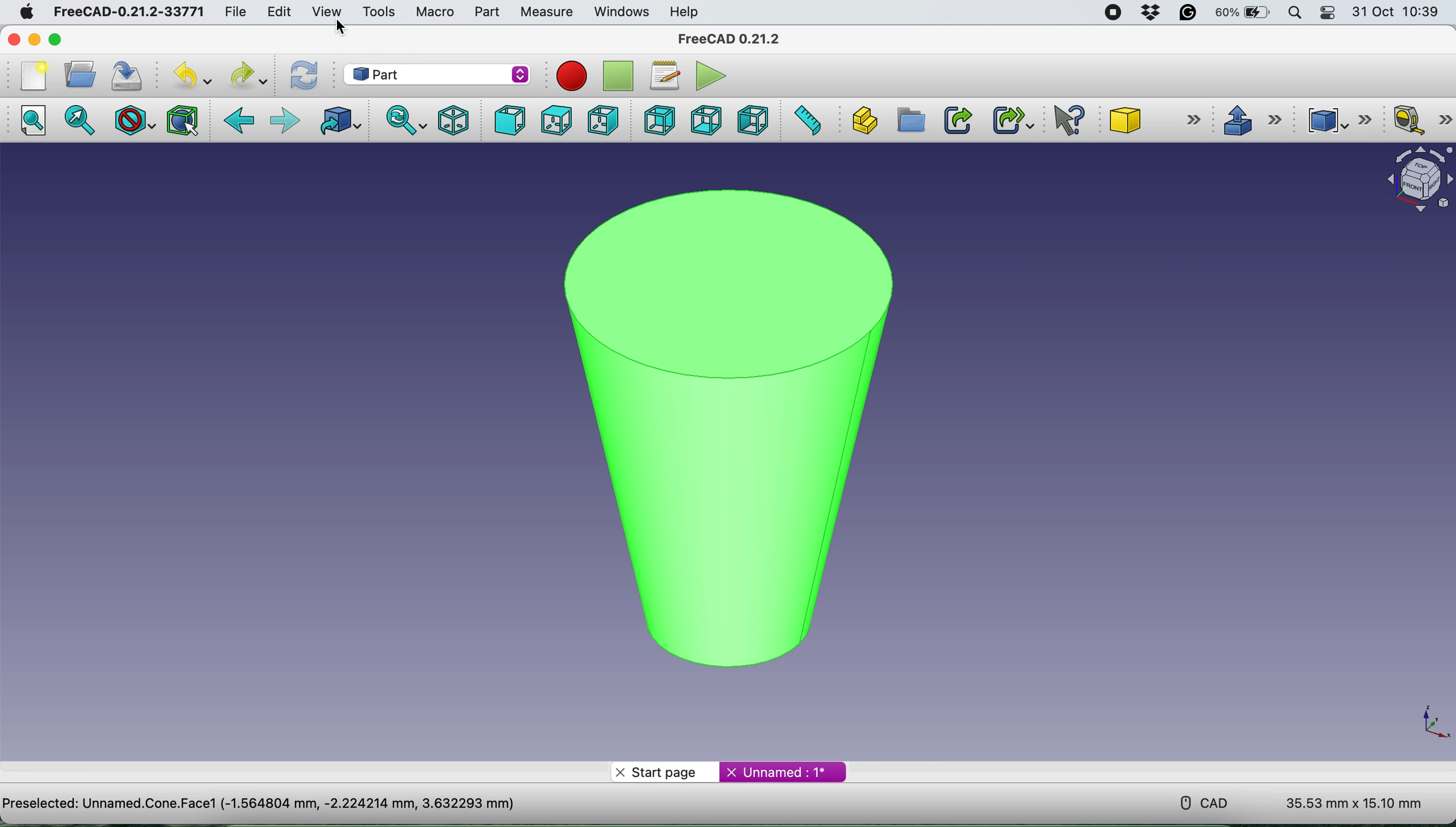  What do you see at coordinates (188, 76) in the screenshot?
I see `undo` at bounding box center [188, 76].